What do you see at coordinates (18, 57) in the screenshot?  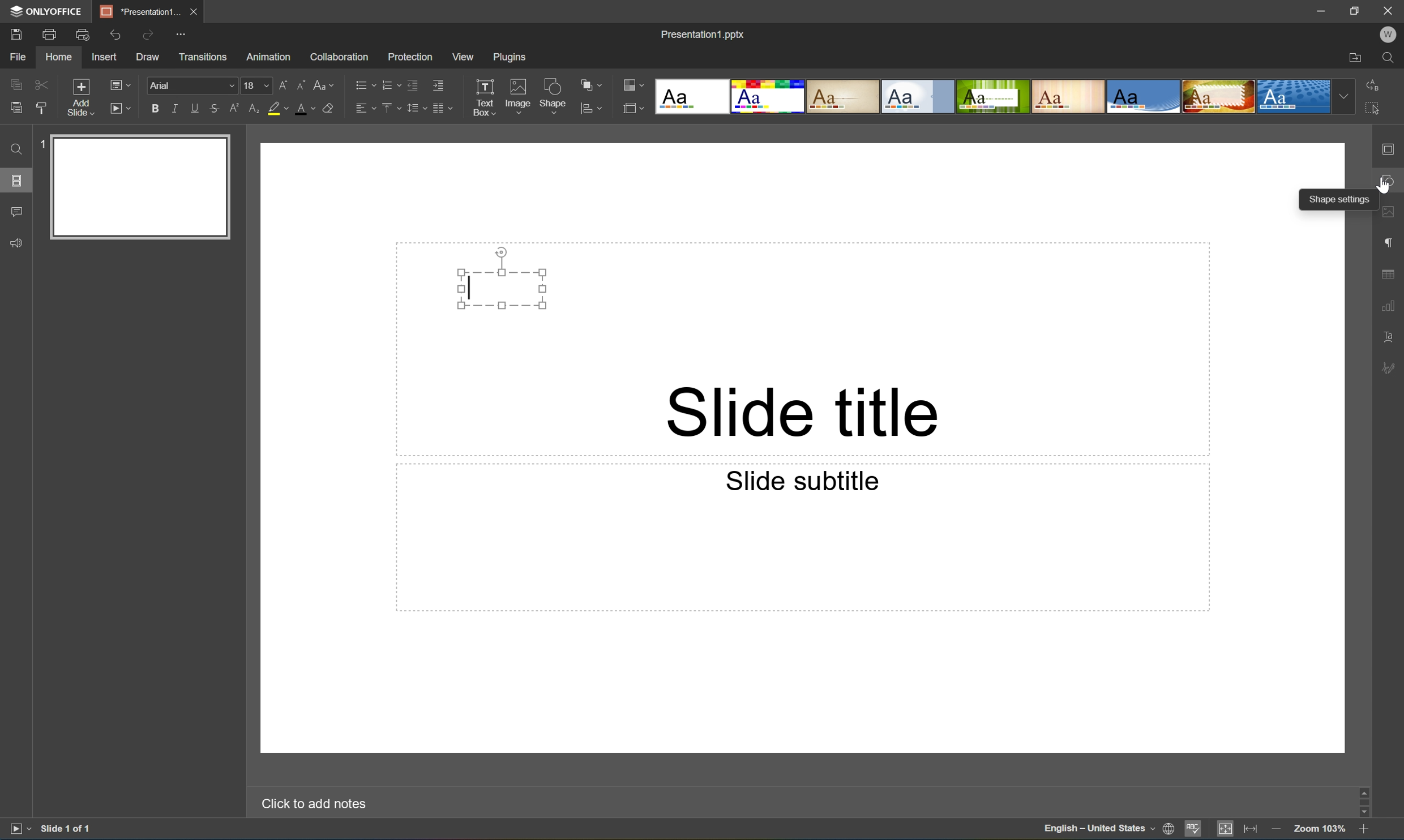 I see `File` at bounding box center [18, 57].